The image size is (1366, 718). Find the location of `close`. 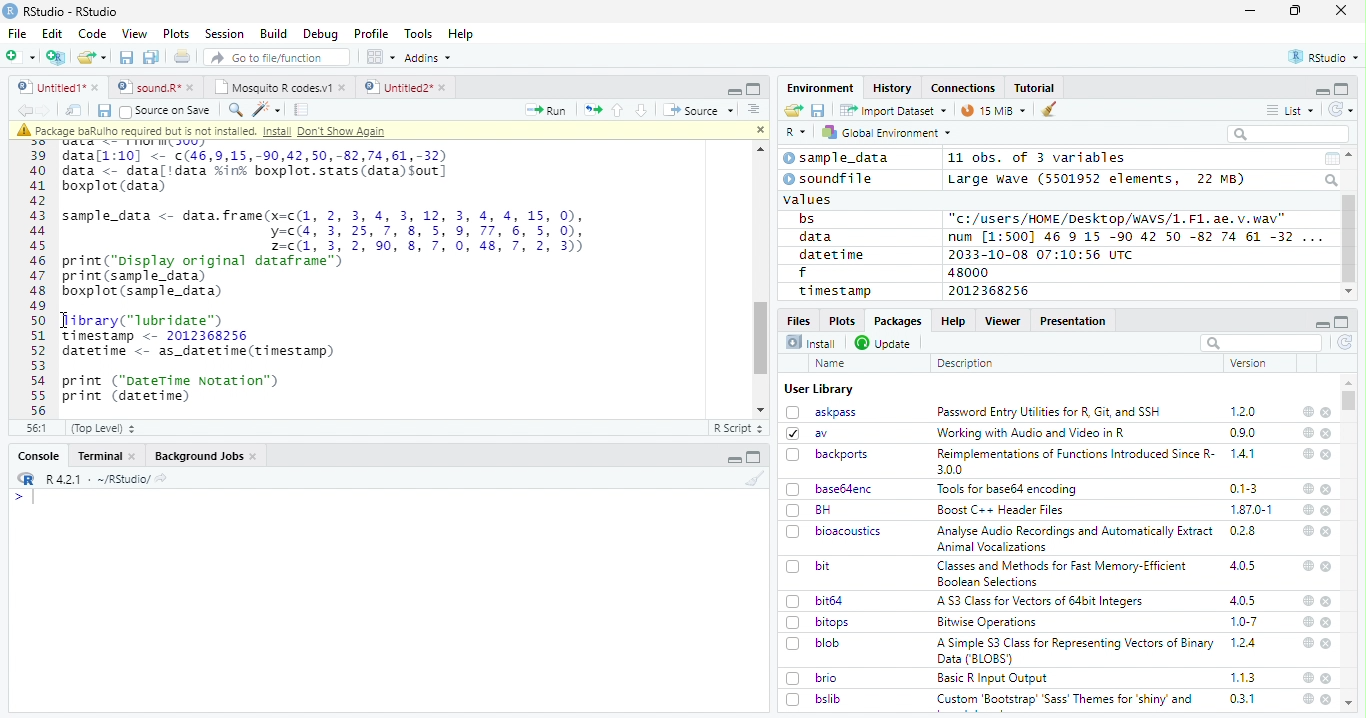

close is located at coordinates (1328, 532).